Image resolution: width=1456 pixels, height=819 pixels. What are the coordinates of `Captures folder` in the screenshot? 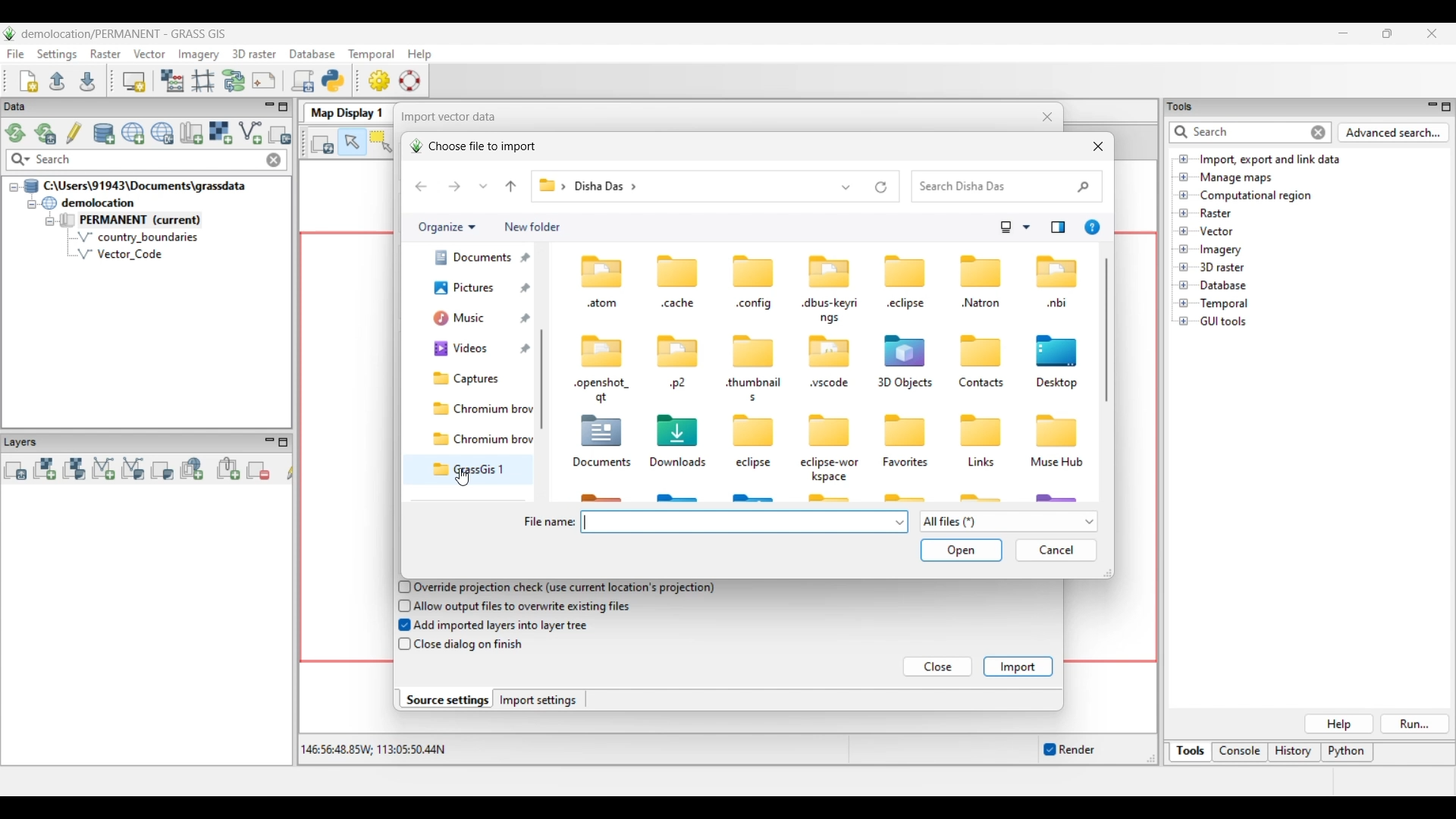 It's located at (477, 378).